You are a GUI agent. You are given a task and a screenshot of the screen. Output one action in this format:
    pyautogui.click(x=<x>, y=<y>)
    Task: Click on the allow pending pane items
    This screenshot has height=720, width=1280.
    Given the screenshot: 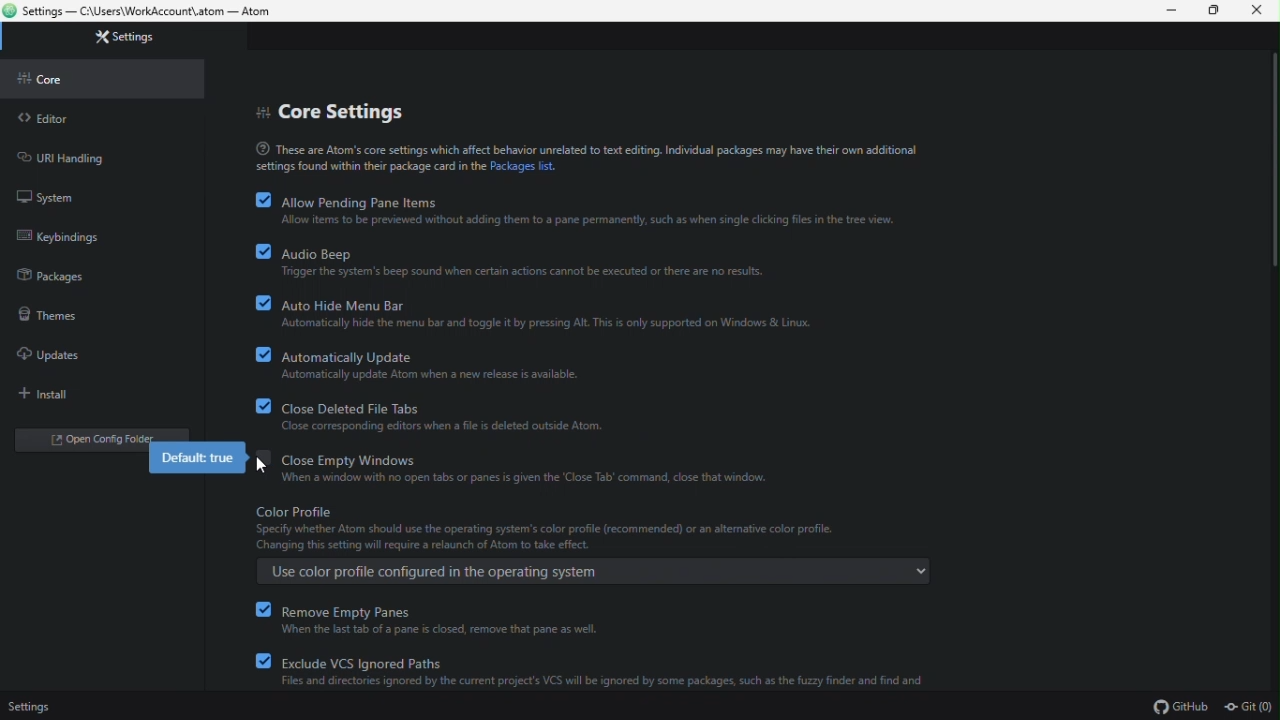 What is the action you would take?
    pyautogui.click(x=600, y=209)
    